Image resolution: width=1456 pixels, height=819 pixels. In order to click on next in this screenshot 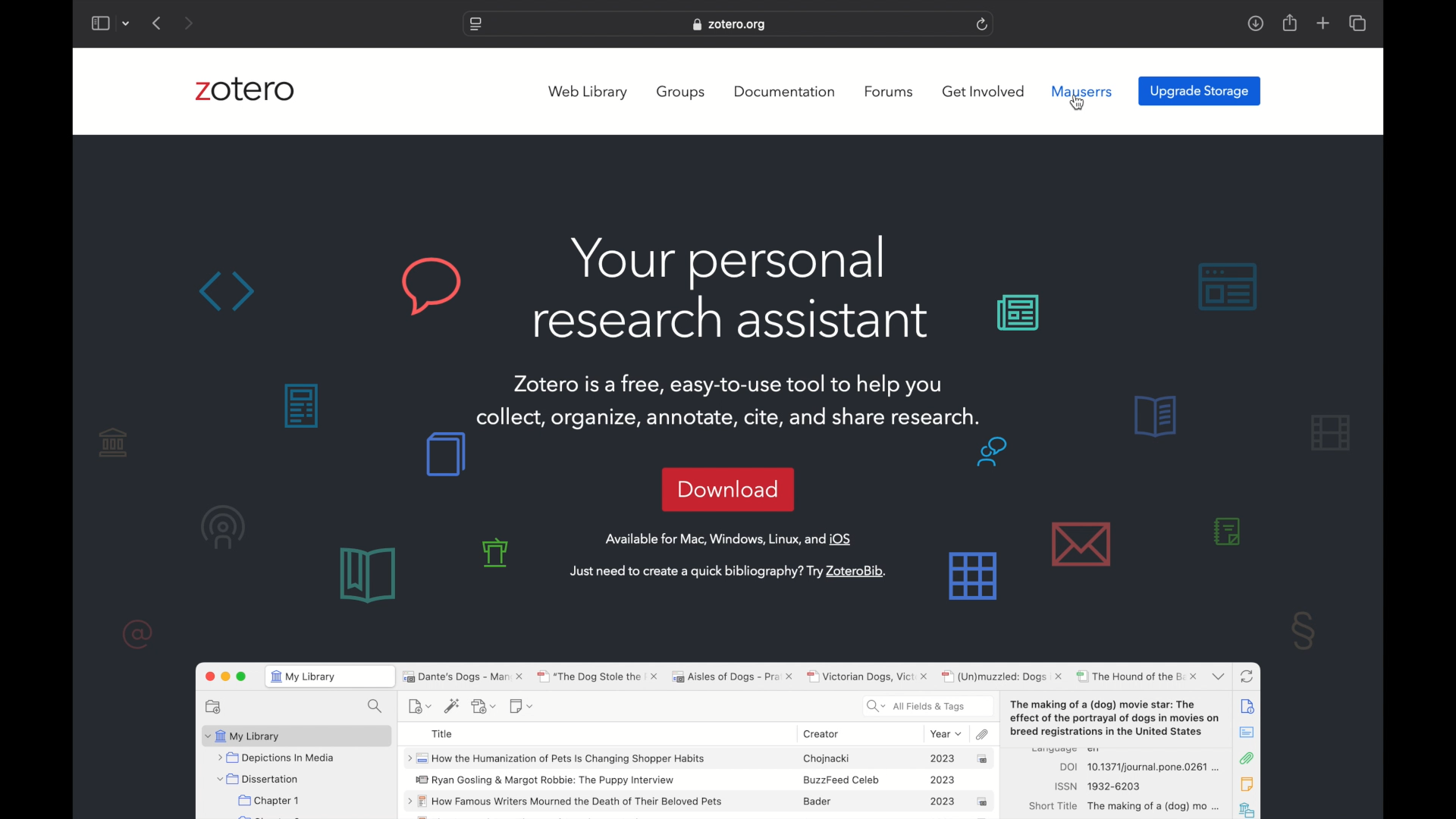, I will do `click(187, 23)`.